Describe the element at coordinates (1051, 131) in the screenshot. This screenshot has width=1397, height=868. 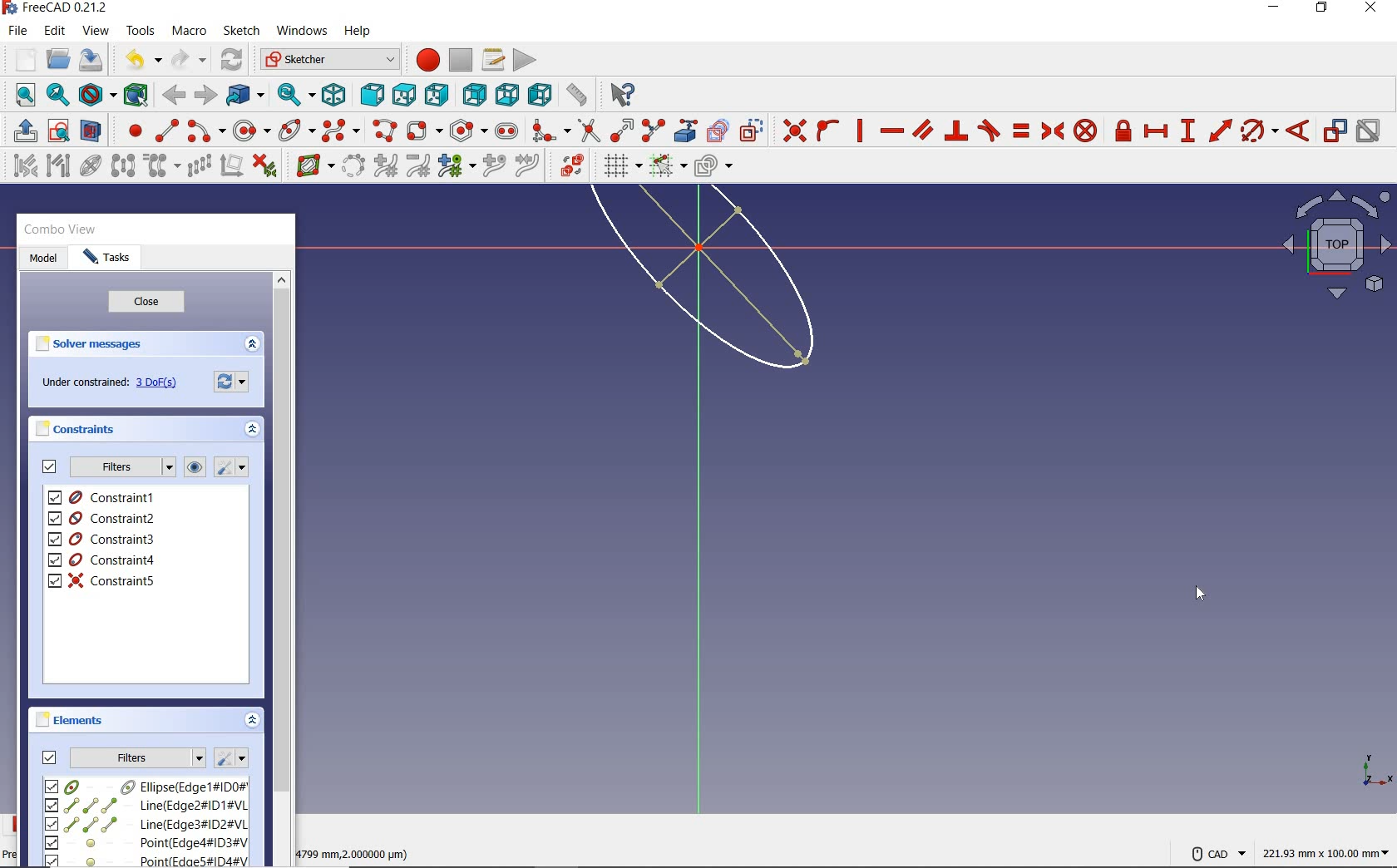
I see `constrain symmetrical` at that location.